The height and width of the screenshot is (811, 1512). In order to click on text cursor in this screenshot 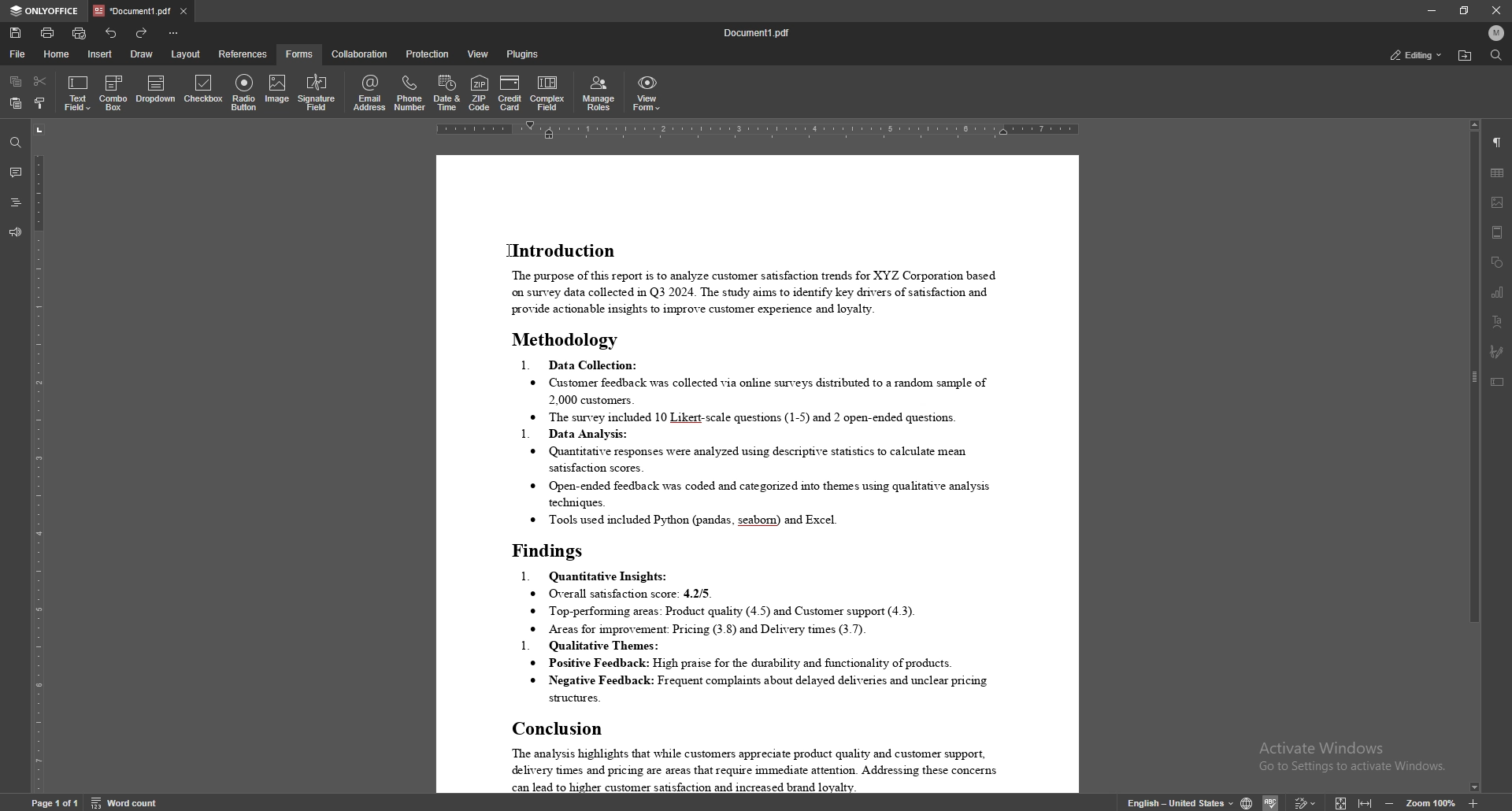, I will do `click(506, 249)`.